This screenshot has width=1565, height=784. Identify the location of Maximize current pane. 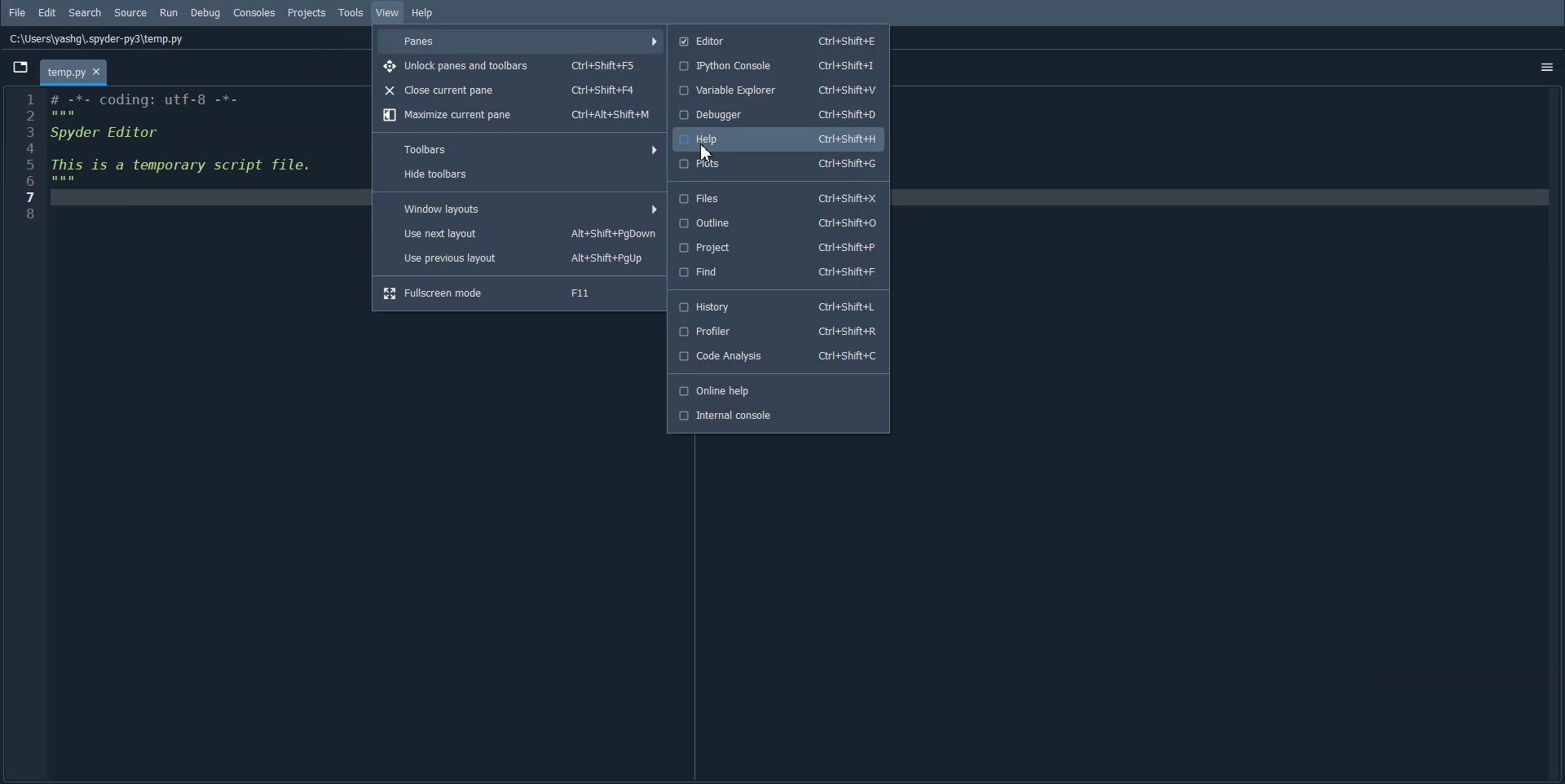
(518, 116).